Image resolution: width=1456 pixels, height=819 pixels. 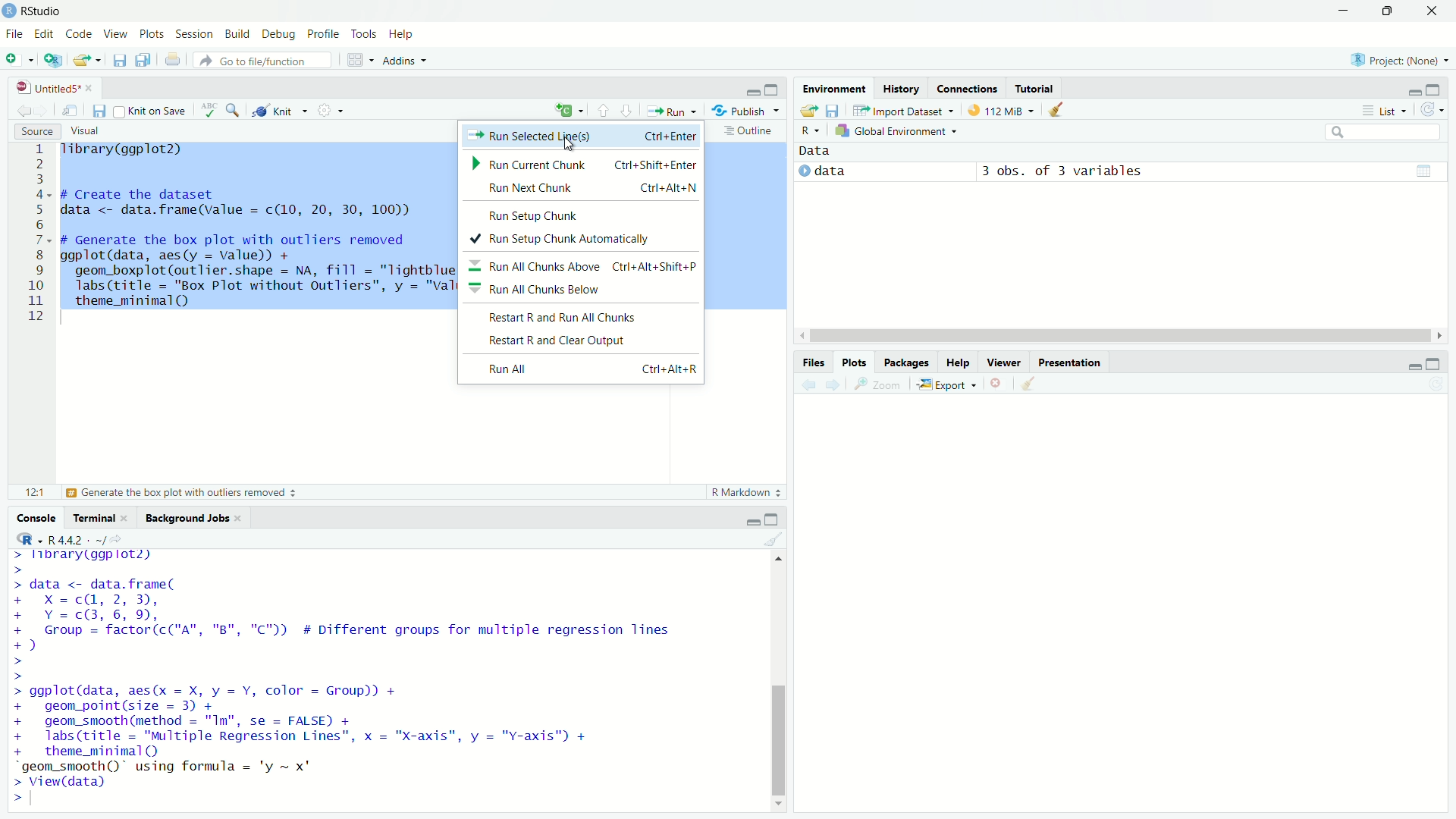 What do you see at coordinates (904, 362) in the screenshot?
I see `Packages` at bounding box center [904, 362].